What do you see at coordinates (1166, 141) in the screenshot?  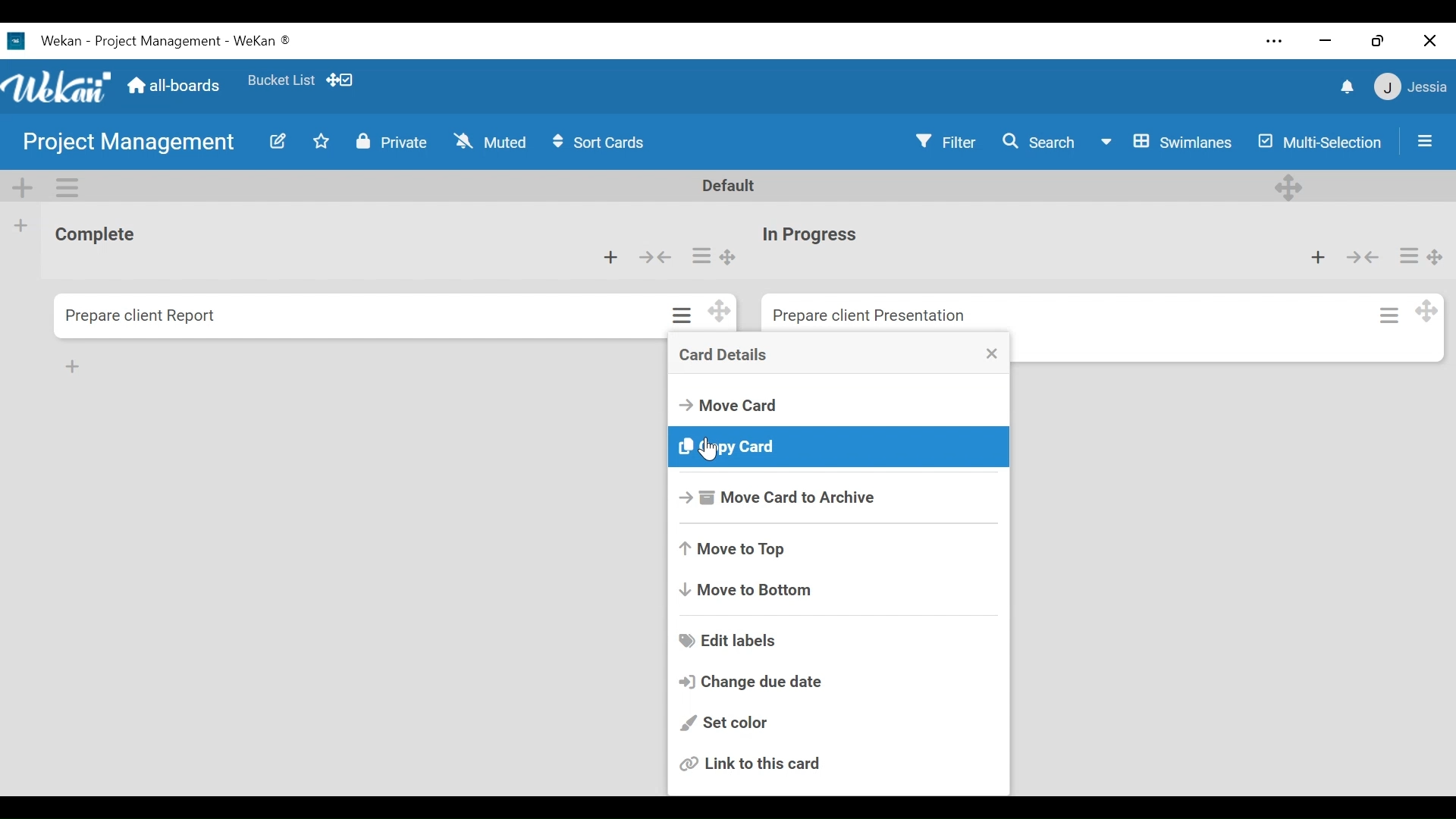 I see `Board View` at bounding box center [1166, 141].